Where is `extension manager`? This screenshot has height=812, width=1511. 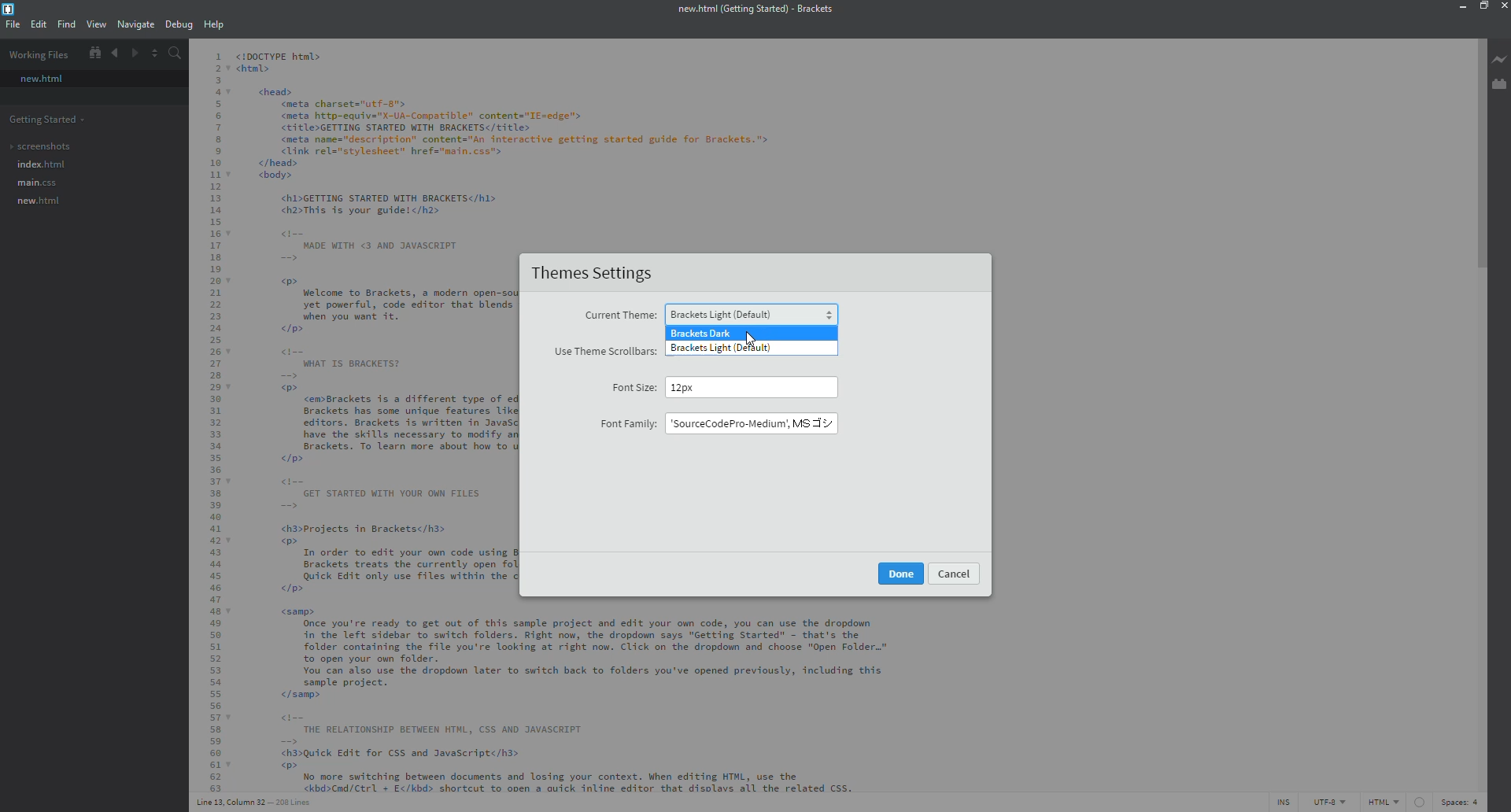 extension manager is located at coordinates (1499, 84).